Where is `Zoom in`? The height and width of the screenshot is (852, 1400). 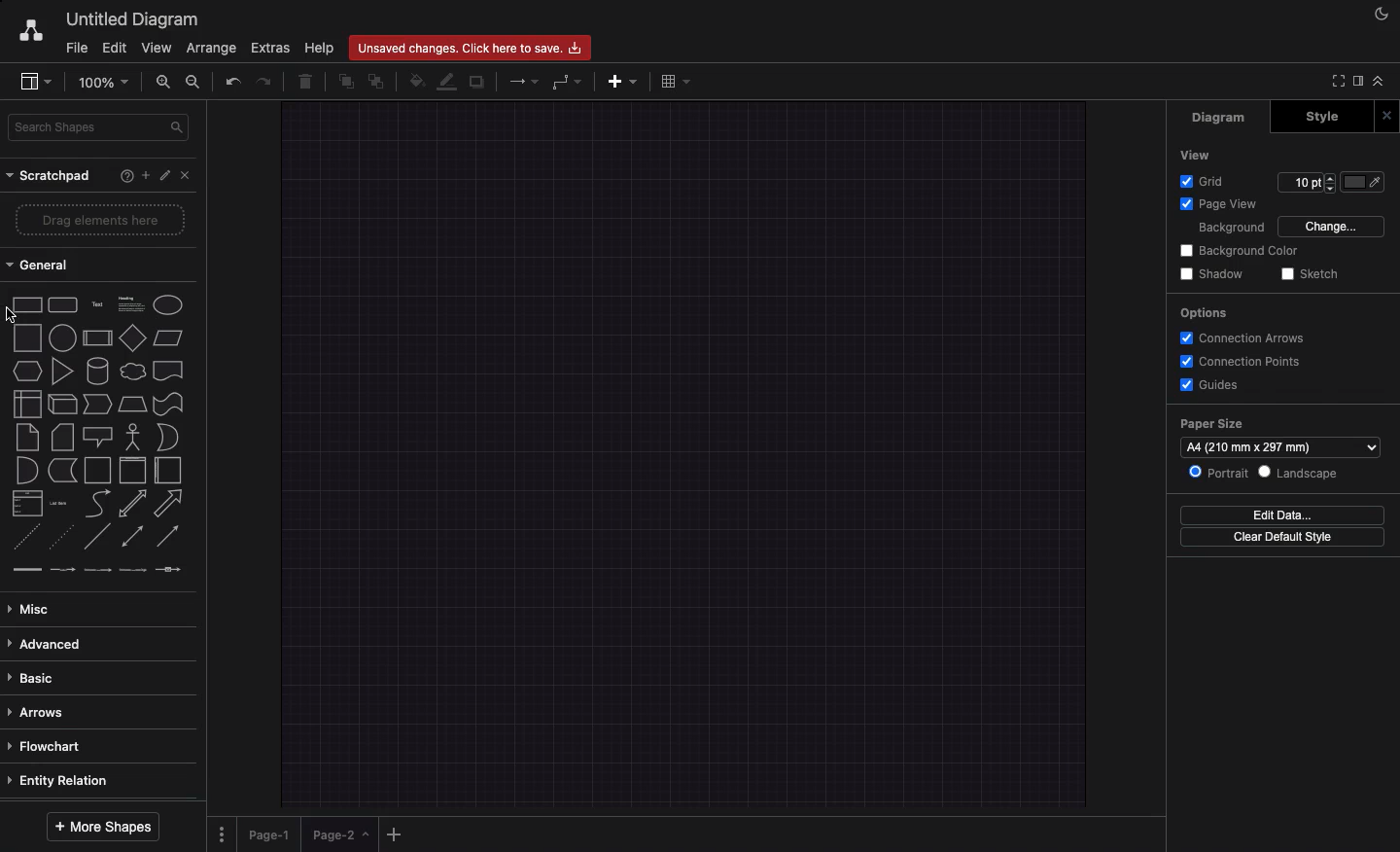
Zoom in is located at coordinates (166, 86).